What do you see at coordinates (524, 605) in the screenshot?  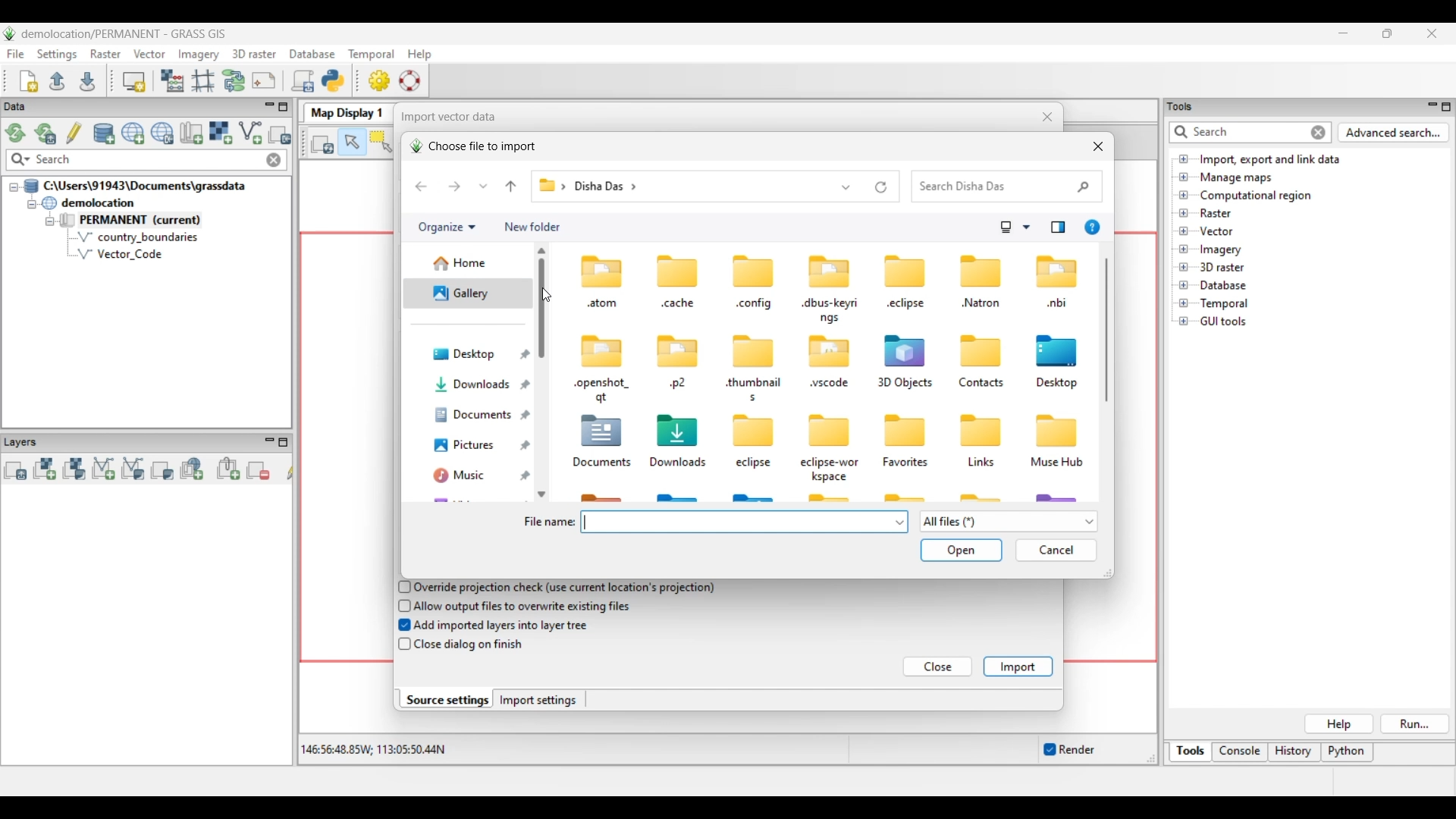 I see `Allow output files to overwrite existing files` at bounding box center [524, 605].